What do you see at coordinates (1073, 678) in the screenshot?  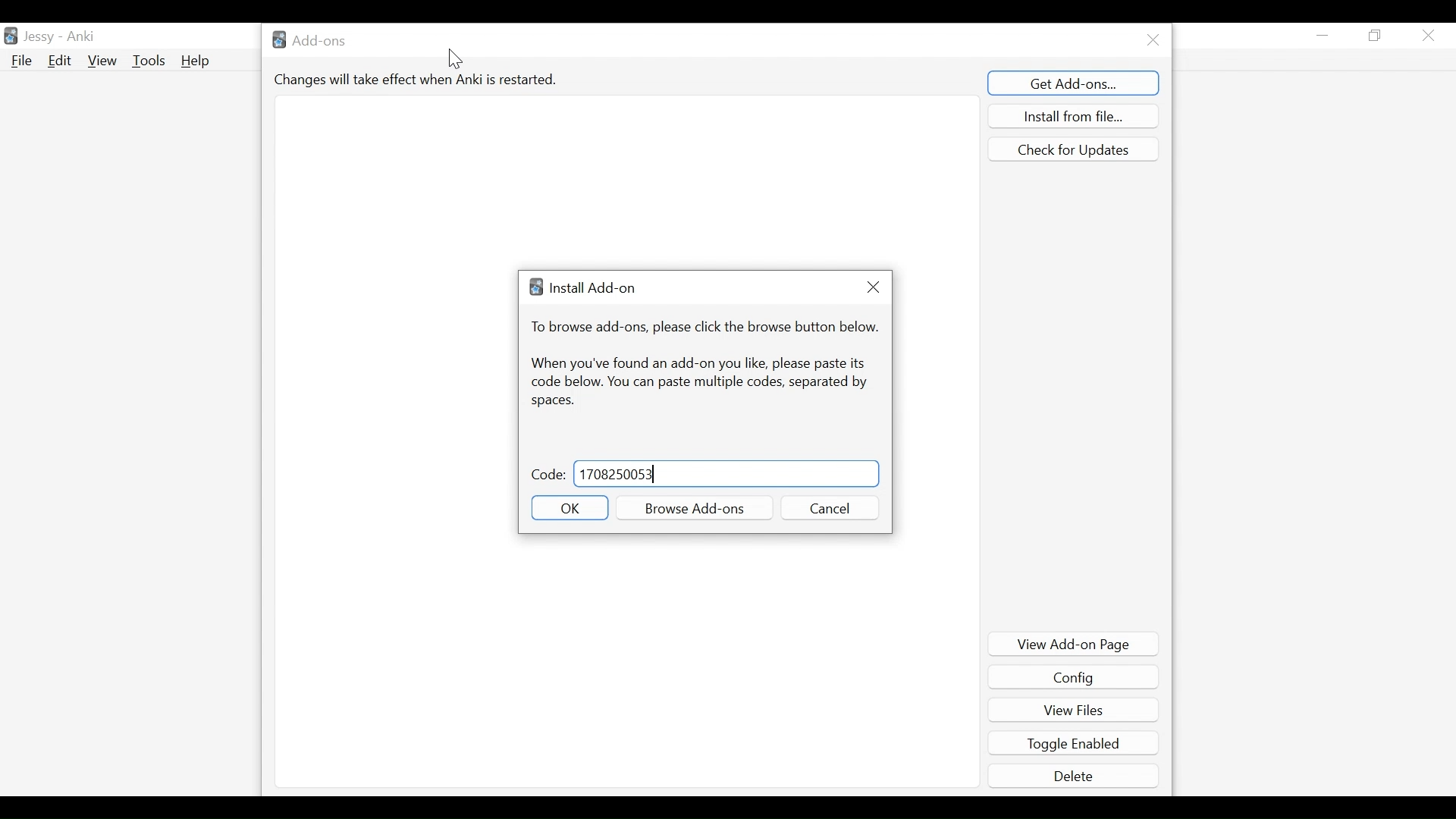 I see `Config` at bounding box center [1073, 678].